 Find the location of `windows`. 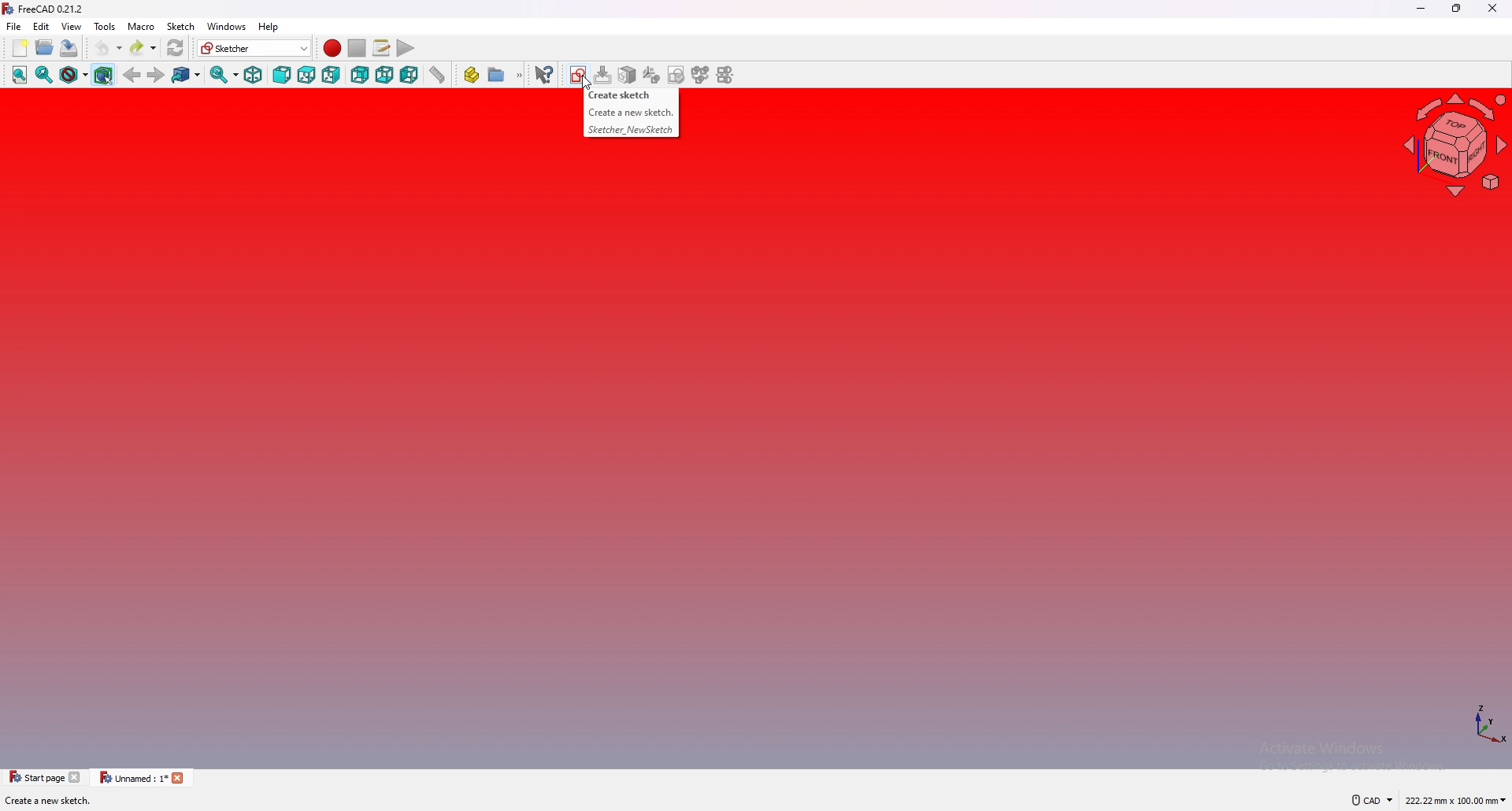

windows is located at coordinates (226, 26).